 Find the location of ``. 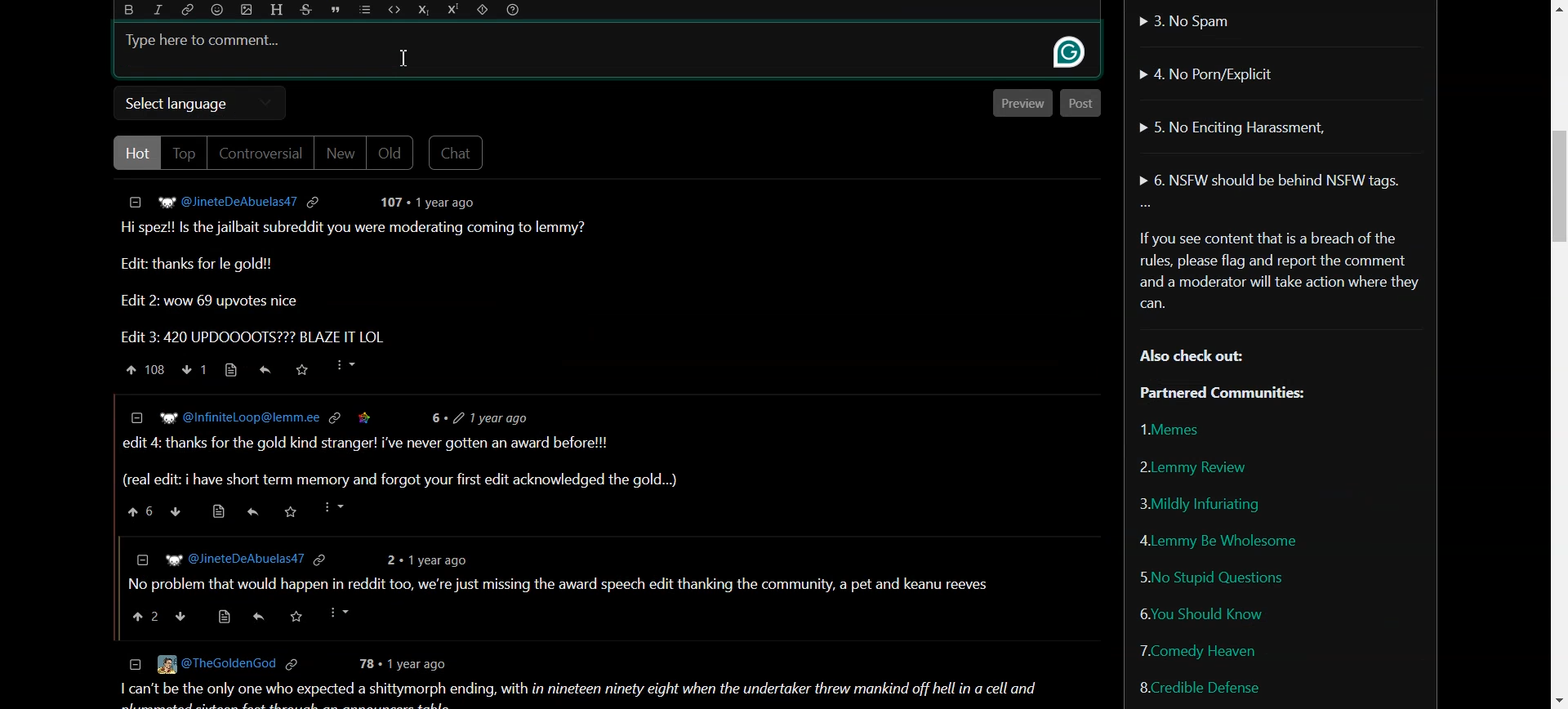

 is located at coordinates (338, 613).